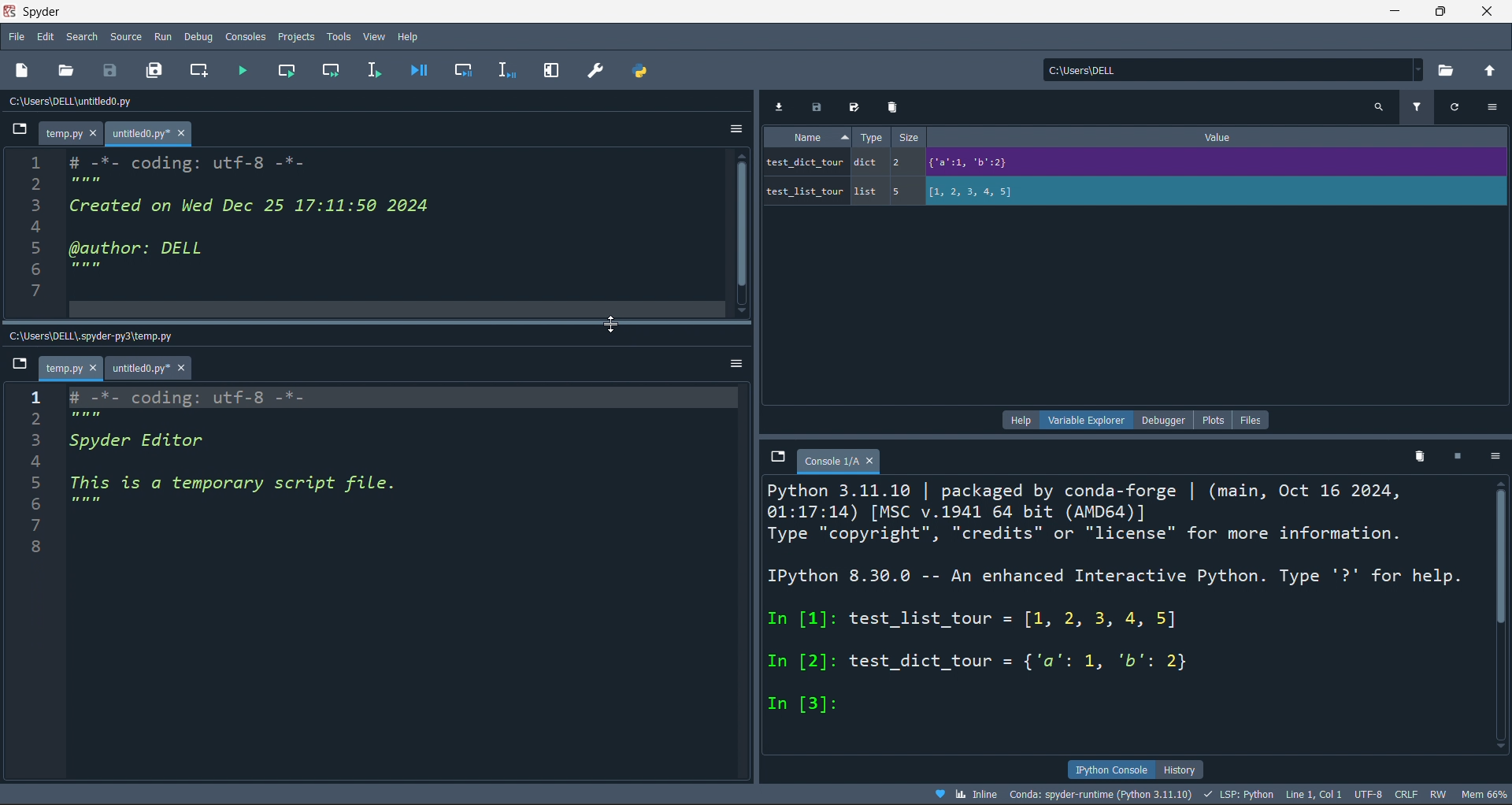 This screenshot has height=805, width=1512. What do you see at coordinates (332, 72) in the screenshot?
I see `run cell and move` at bounding box center [332, 72].